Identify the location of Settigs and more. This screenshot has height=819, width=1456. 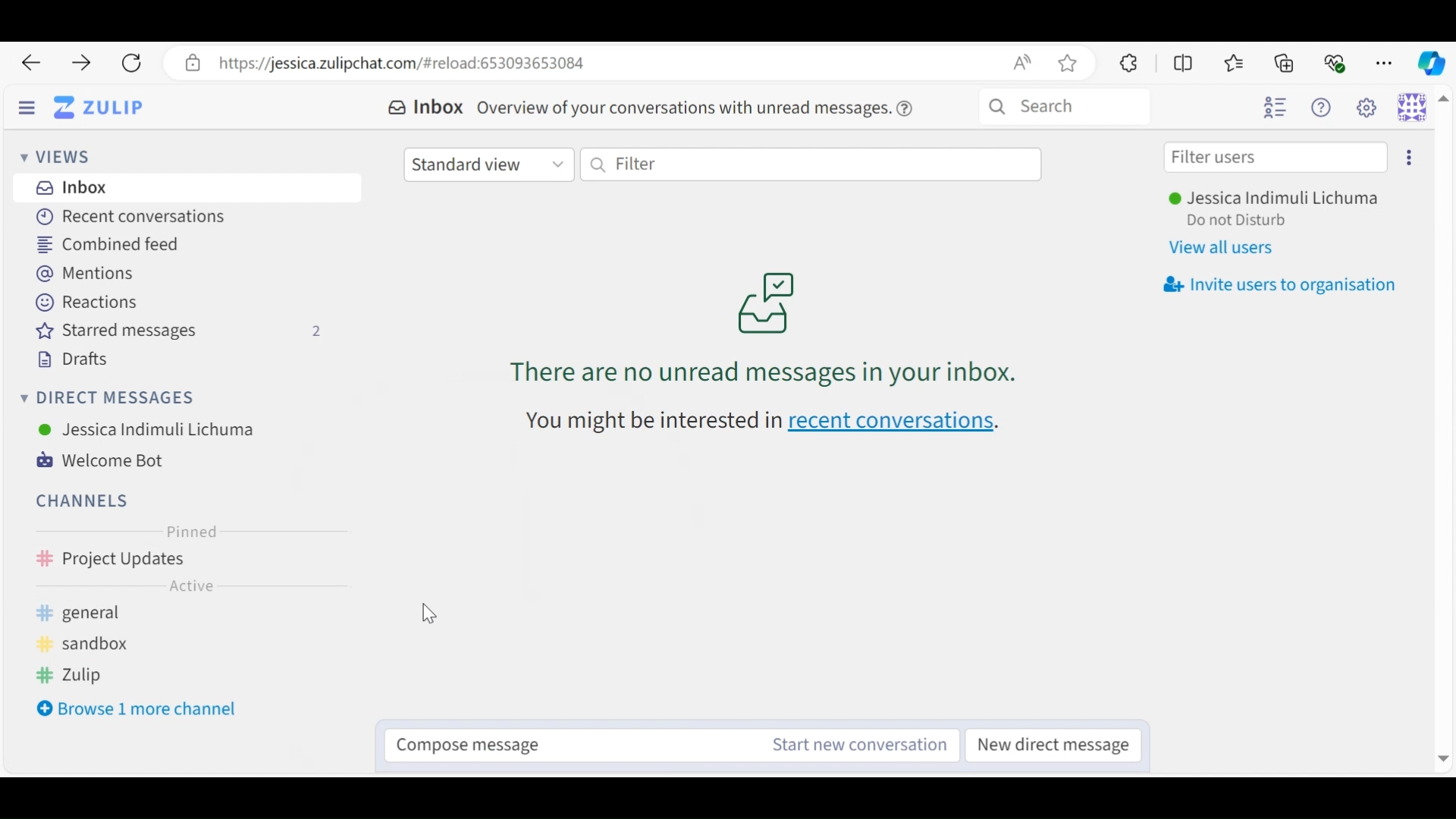
(1386, 63).